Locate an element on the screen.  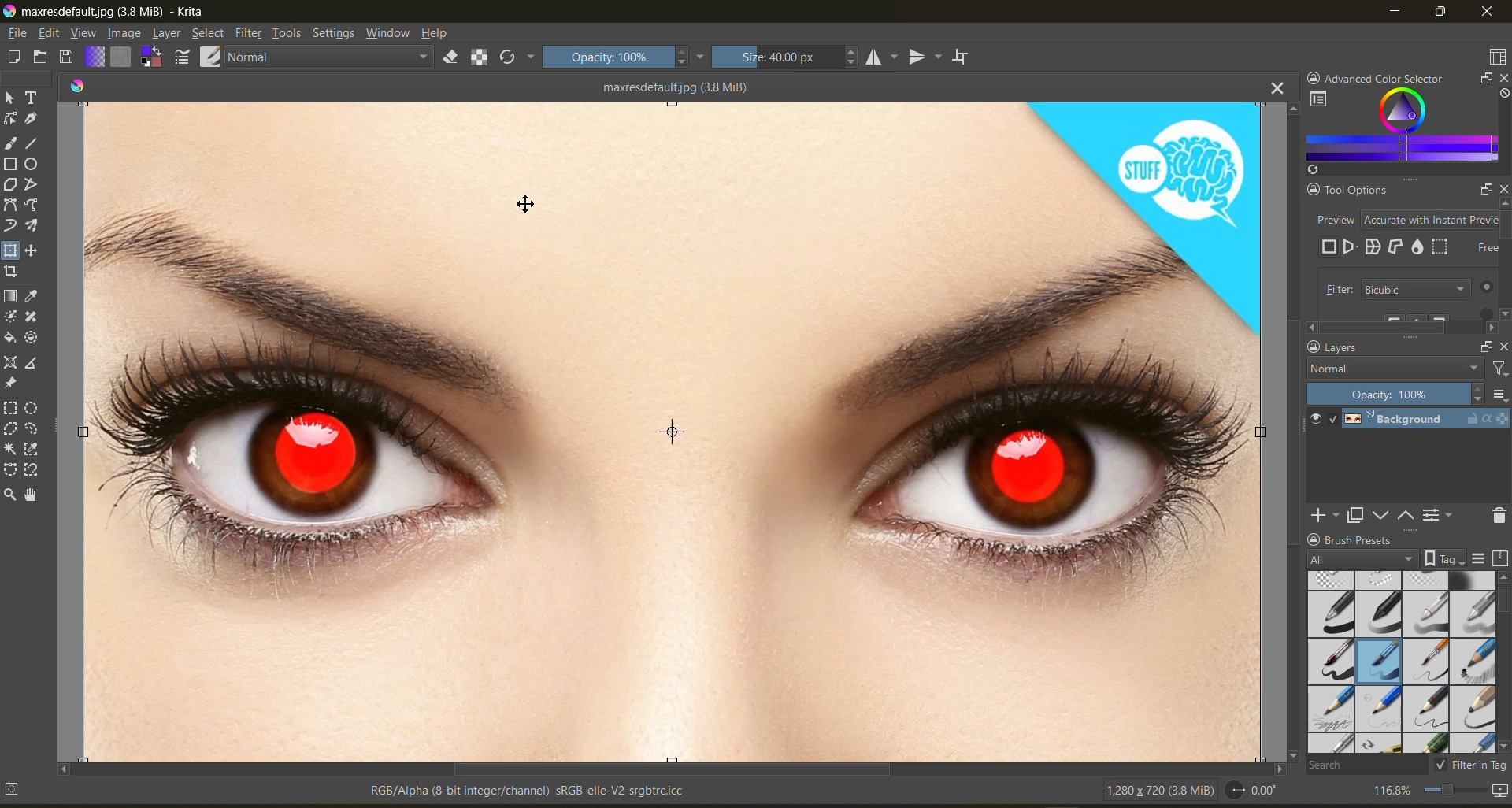
filter is located at coordinates (1407, 289).